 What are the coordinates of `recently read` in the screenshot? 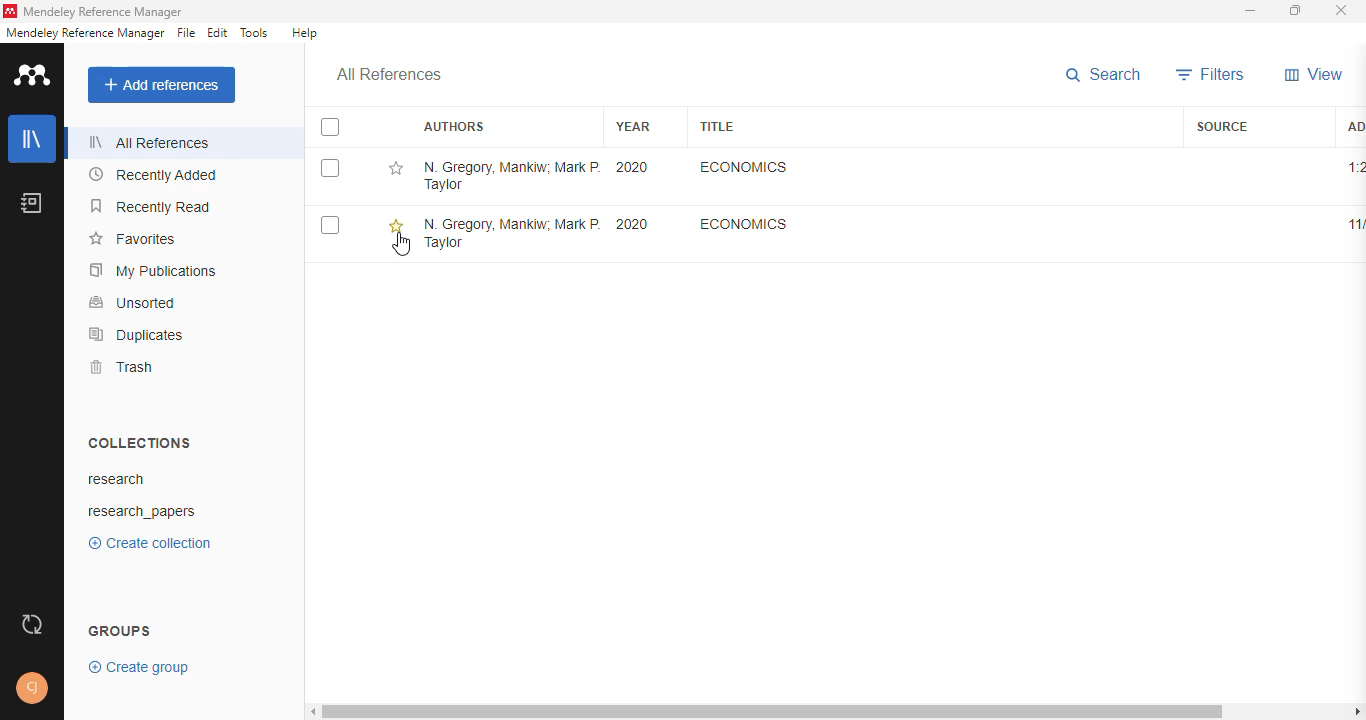 It's located at (151, 207).